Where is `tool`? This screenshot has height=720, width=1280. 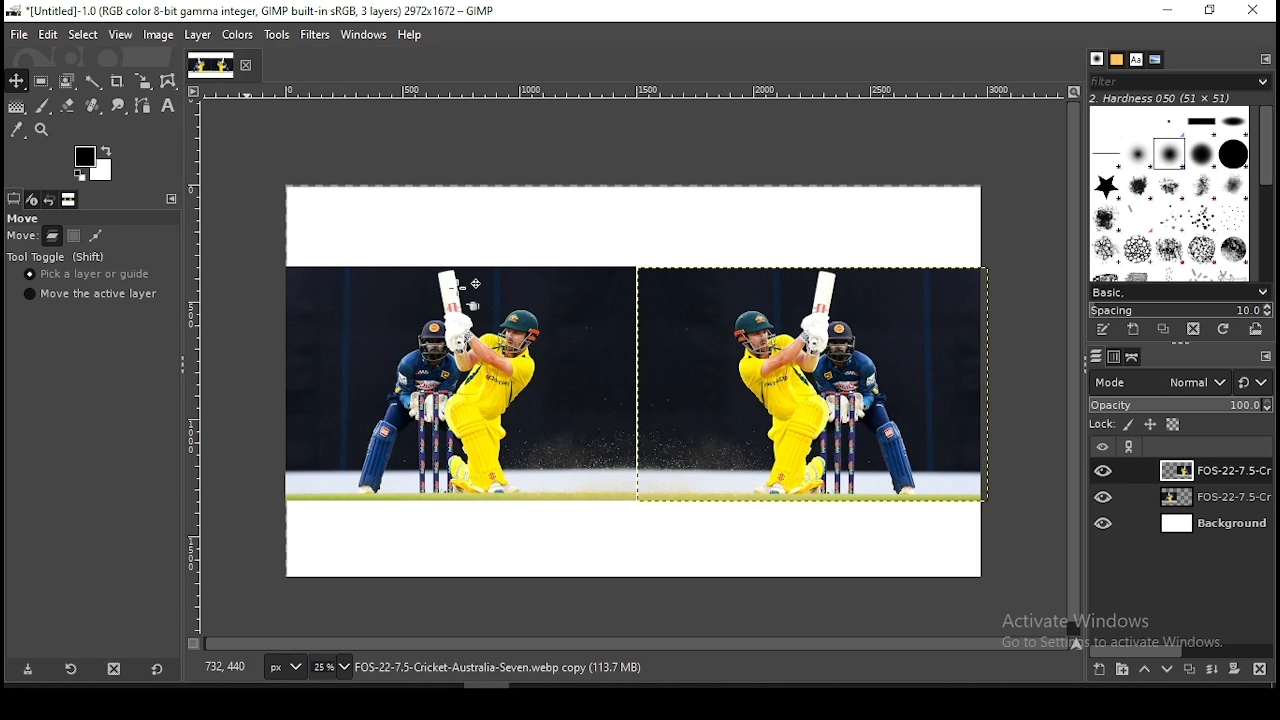
tool is located at coordinates (1266, 357).